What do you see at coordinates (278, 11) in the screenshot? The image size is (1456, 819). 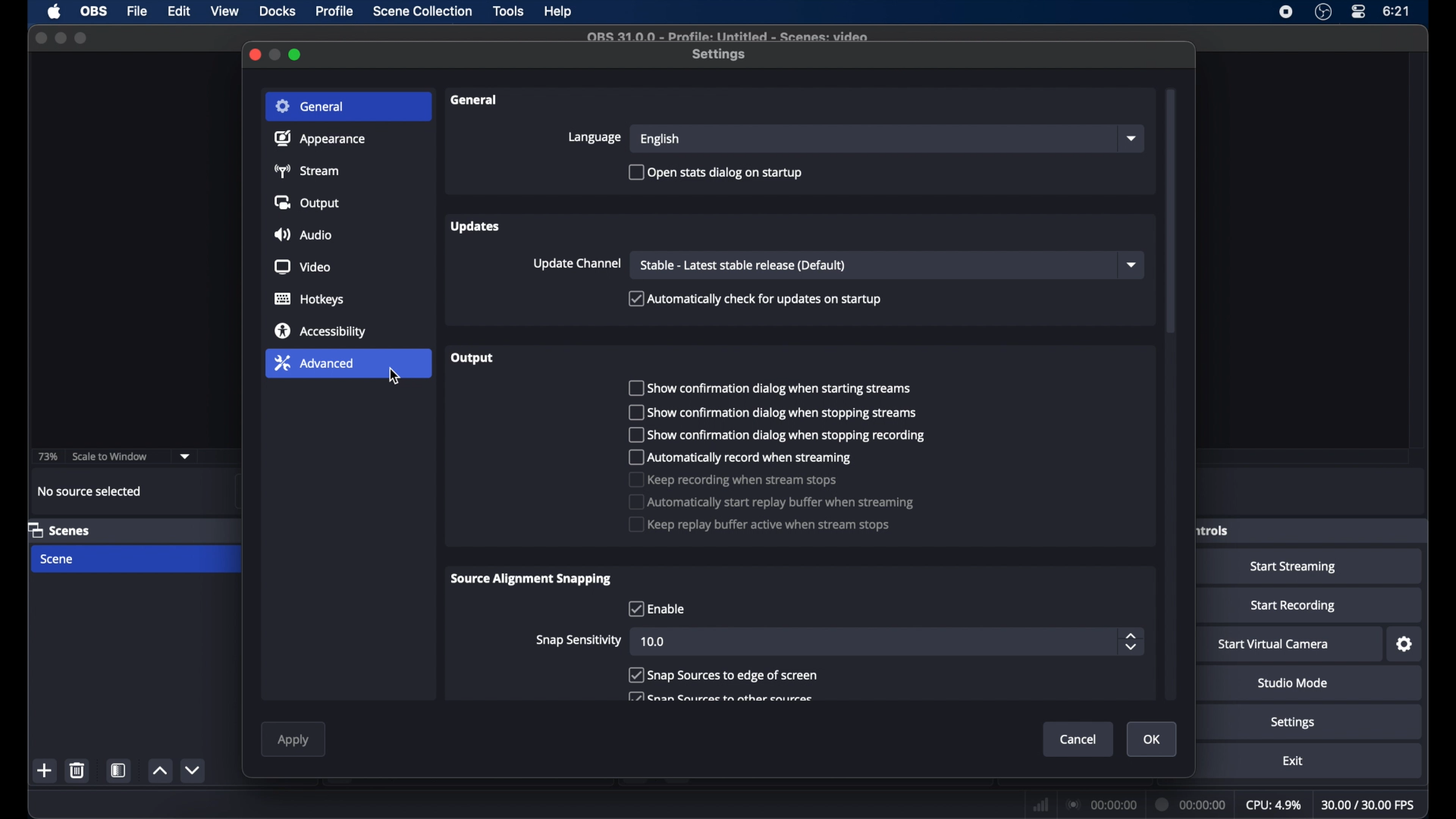 I see `docks` at bounding box center [278, 11].